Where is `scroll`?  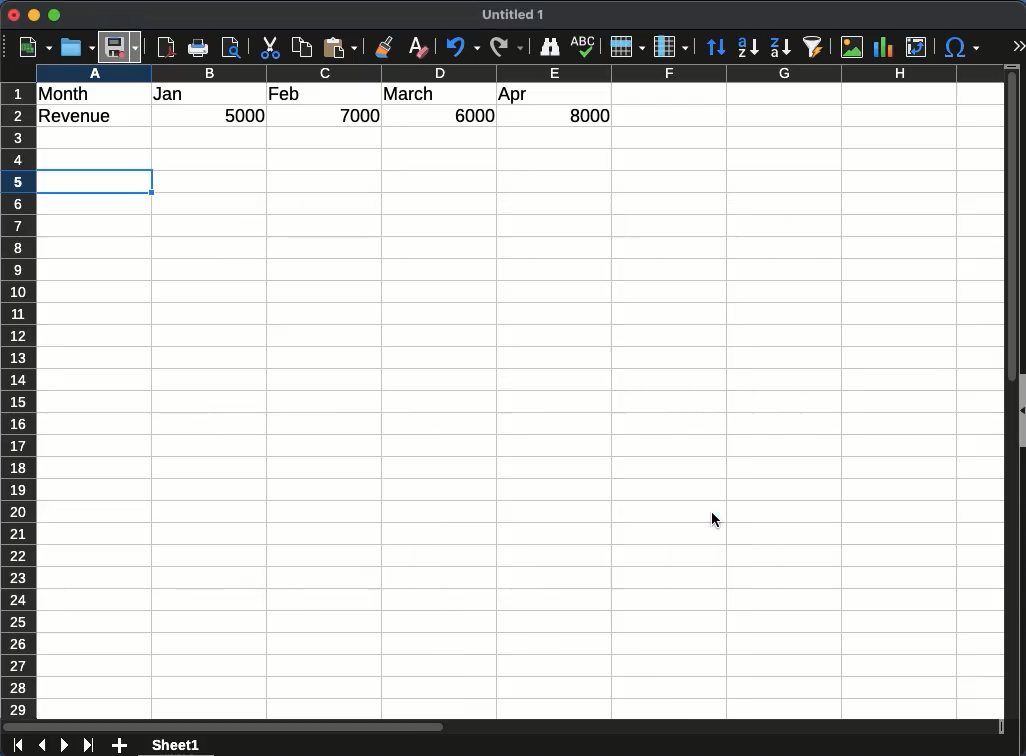 scroll is located at coordinates (1004, 402).